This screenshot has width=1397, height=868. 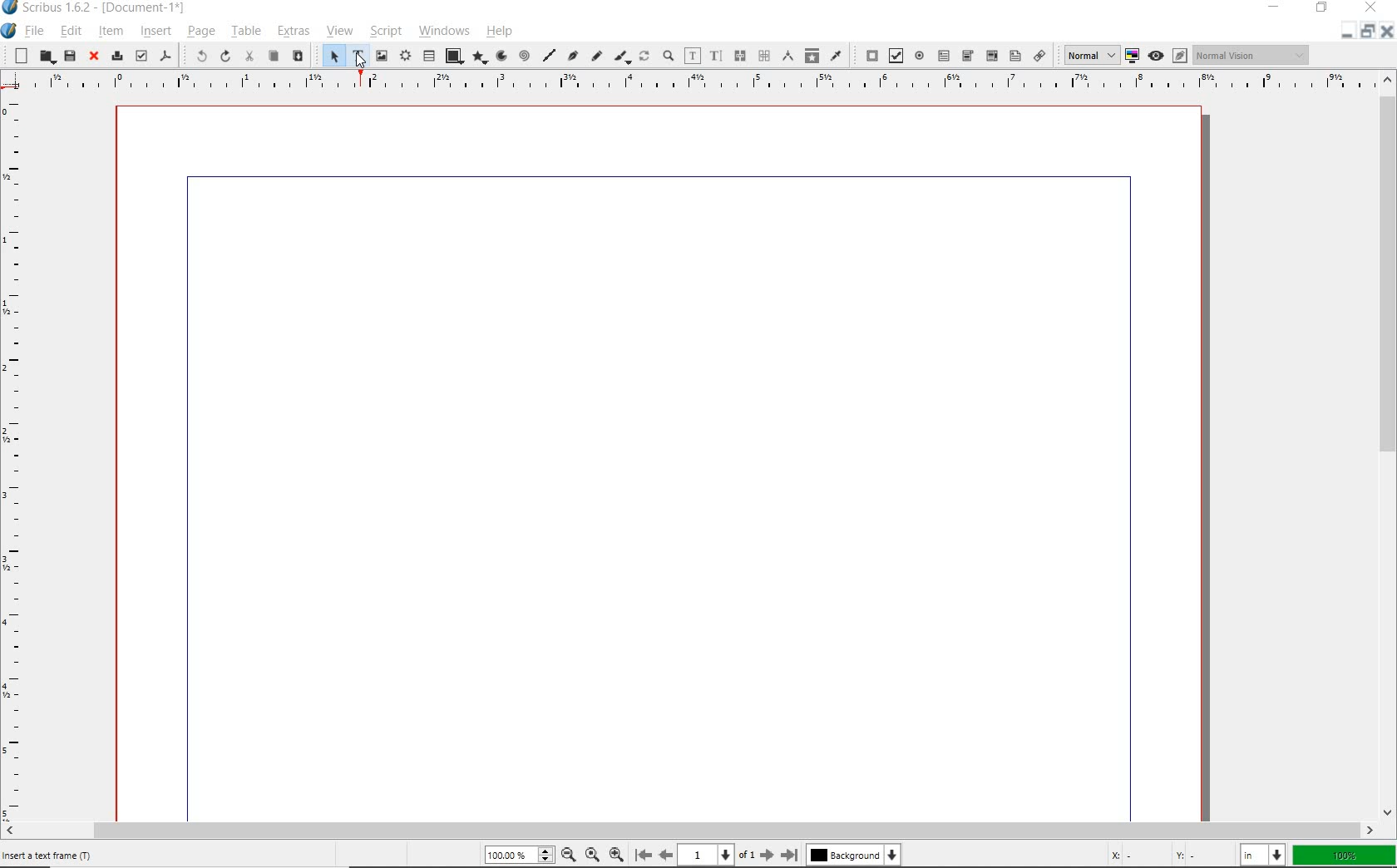 What do you see at coordinates (428, 57) in the screenshot?
I see `table` at bounding box center [428, 57].